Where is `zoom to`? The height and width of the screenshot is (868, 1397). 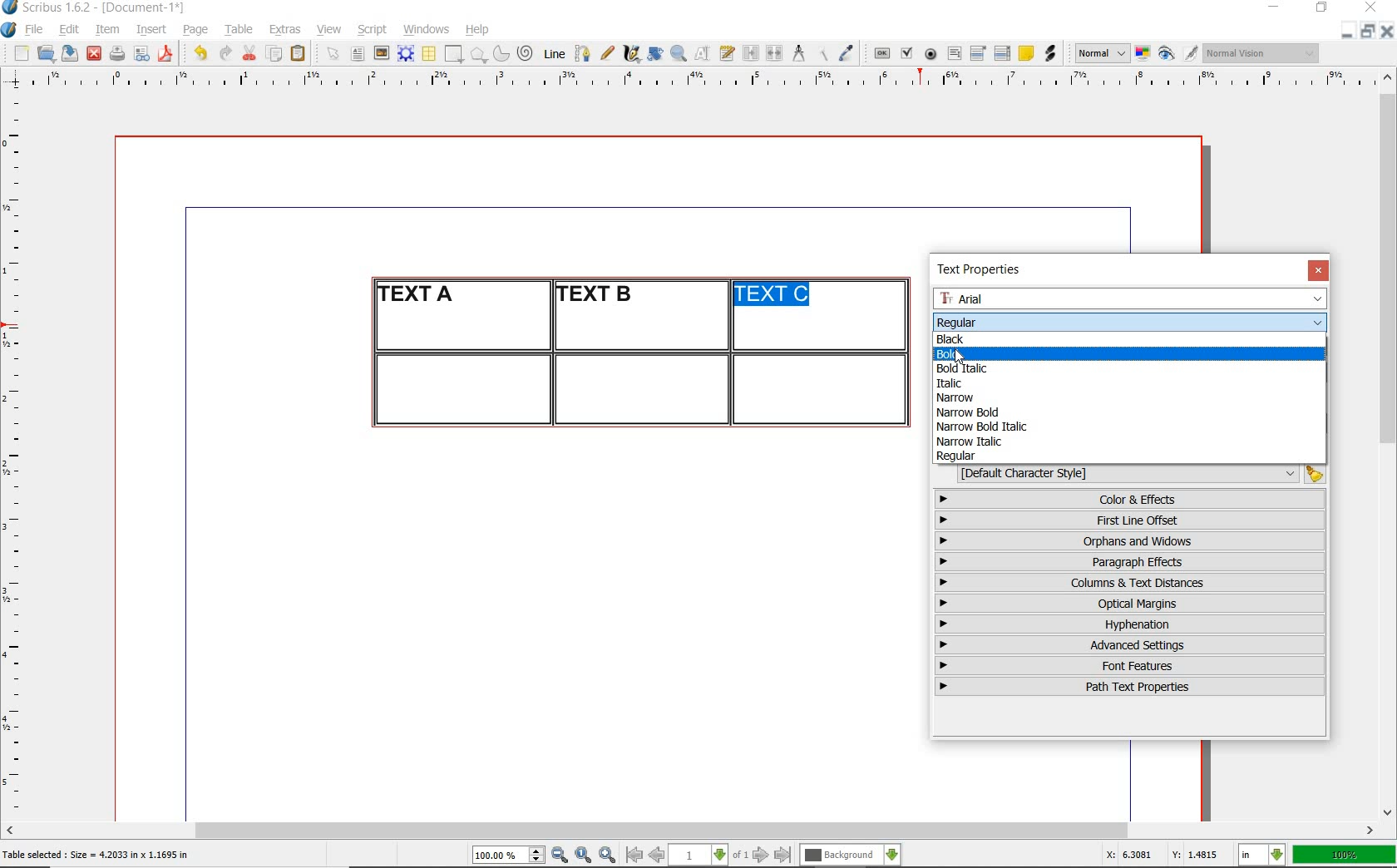 zoom to is located at coordinates (584, 856).